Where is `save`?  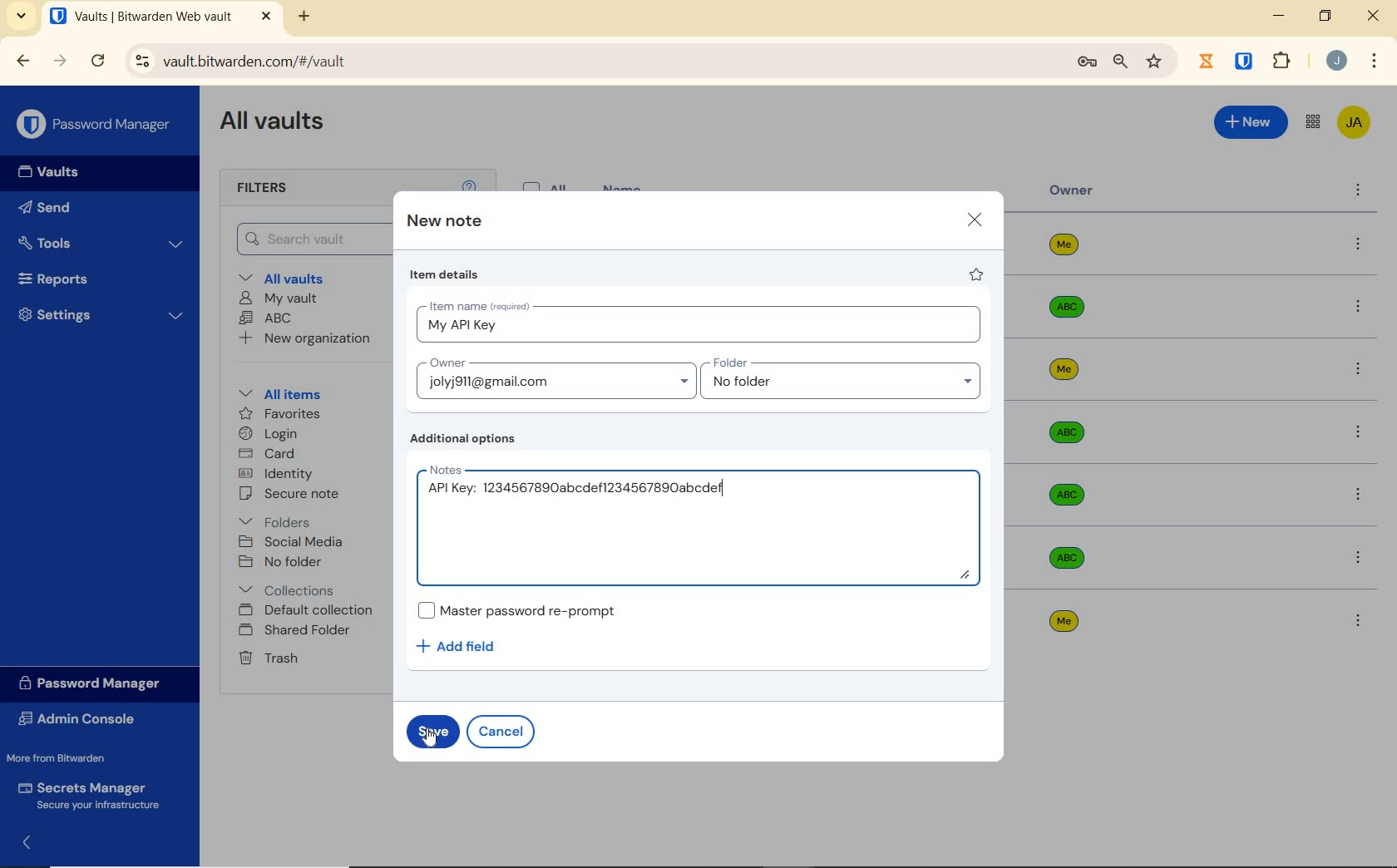 save is located at coordinates (431, 735).